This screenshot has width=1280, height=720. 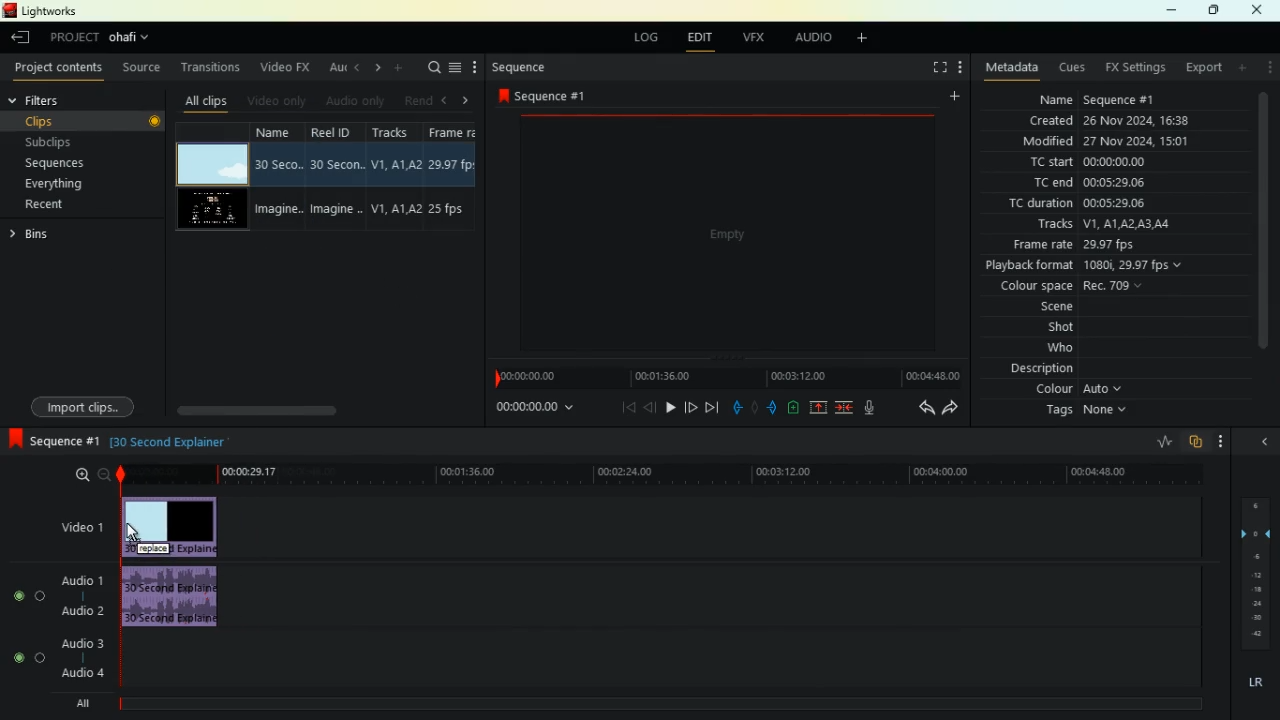 What do you see at coordinates (648, 407) in the screenshot?
I see `back` at bounding box center [648, 407].